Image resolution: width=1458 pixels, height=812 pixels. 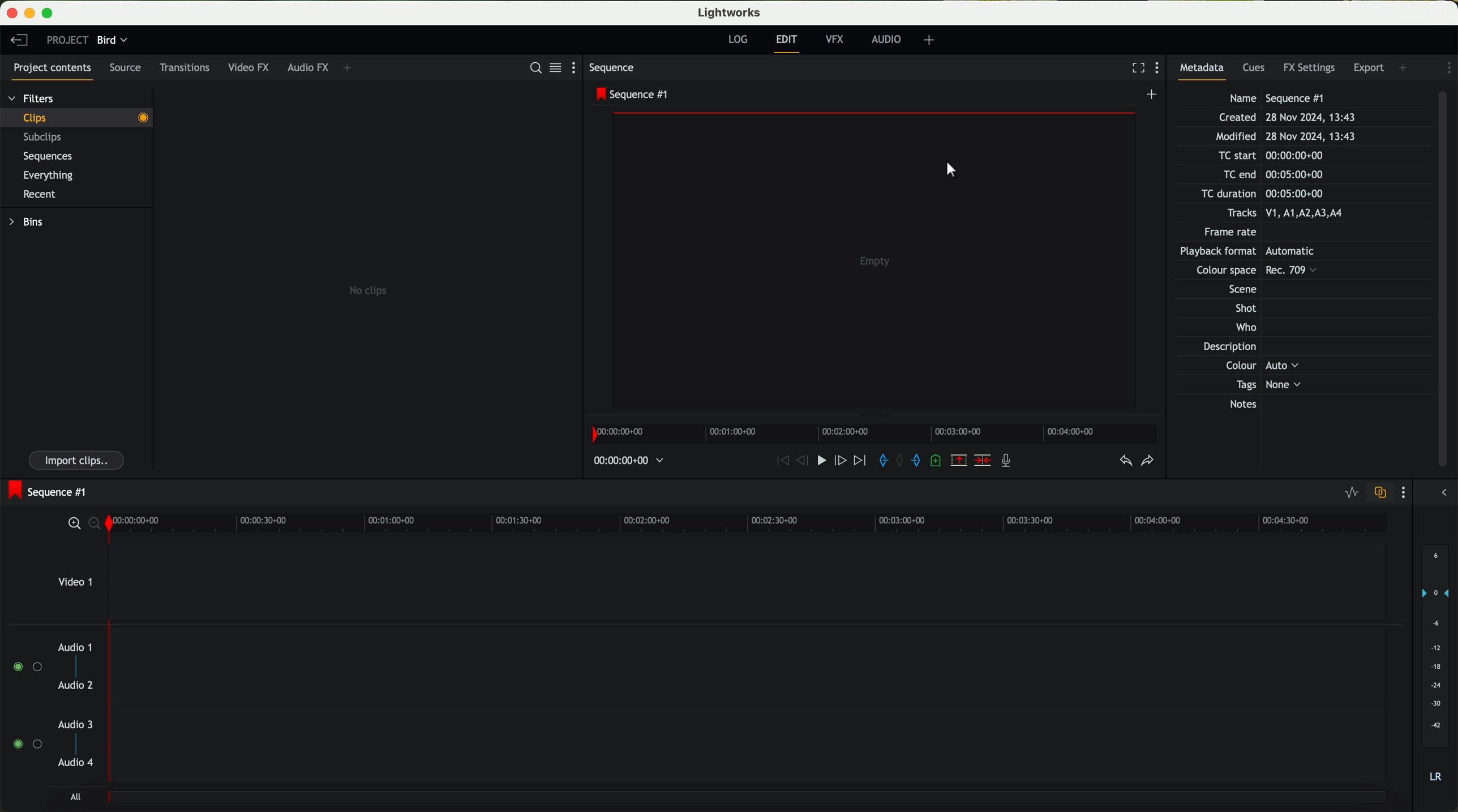 I want to click on show/hide the full audio mix, so click(x=1443, y=494).